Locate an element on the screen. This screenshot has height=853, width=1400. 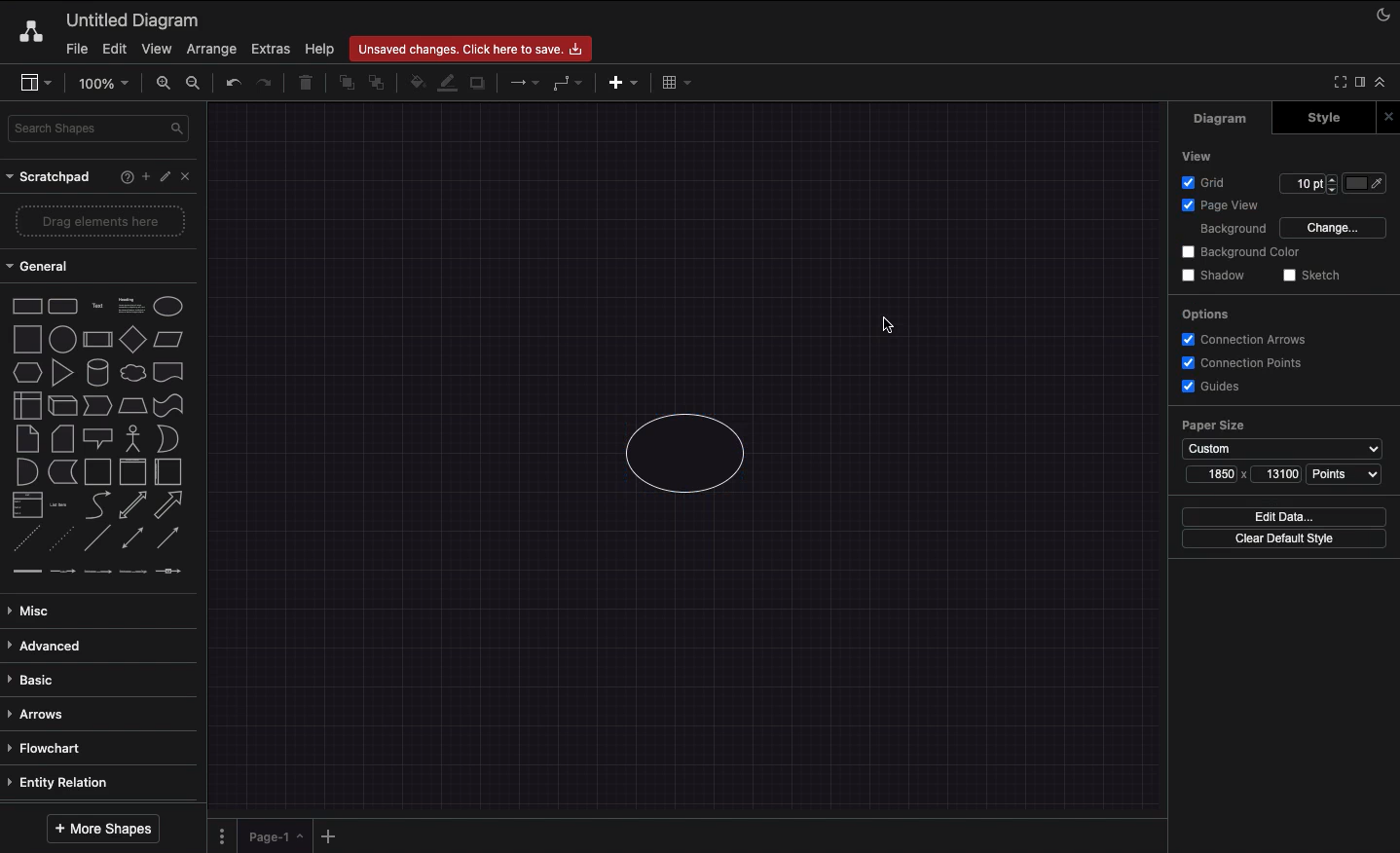
Search shapes is located at coordinates (100, 131).